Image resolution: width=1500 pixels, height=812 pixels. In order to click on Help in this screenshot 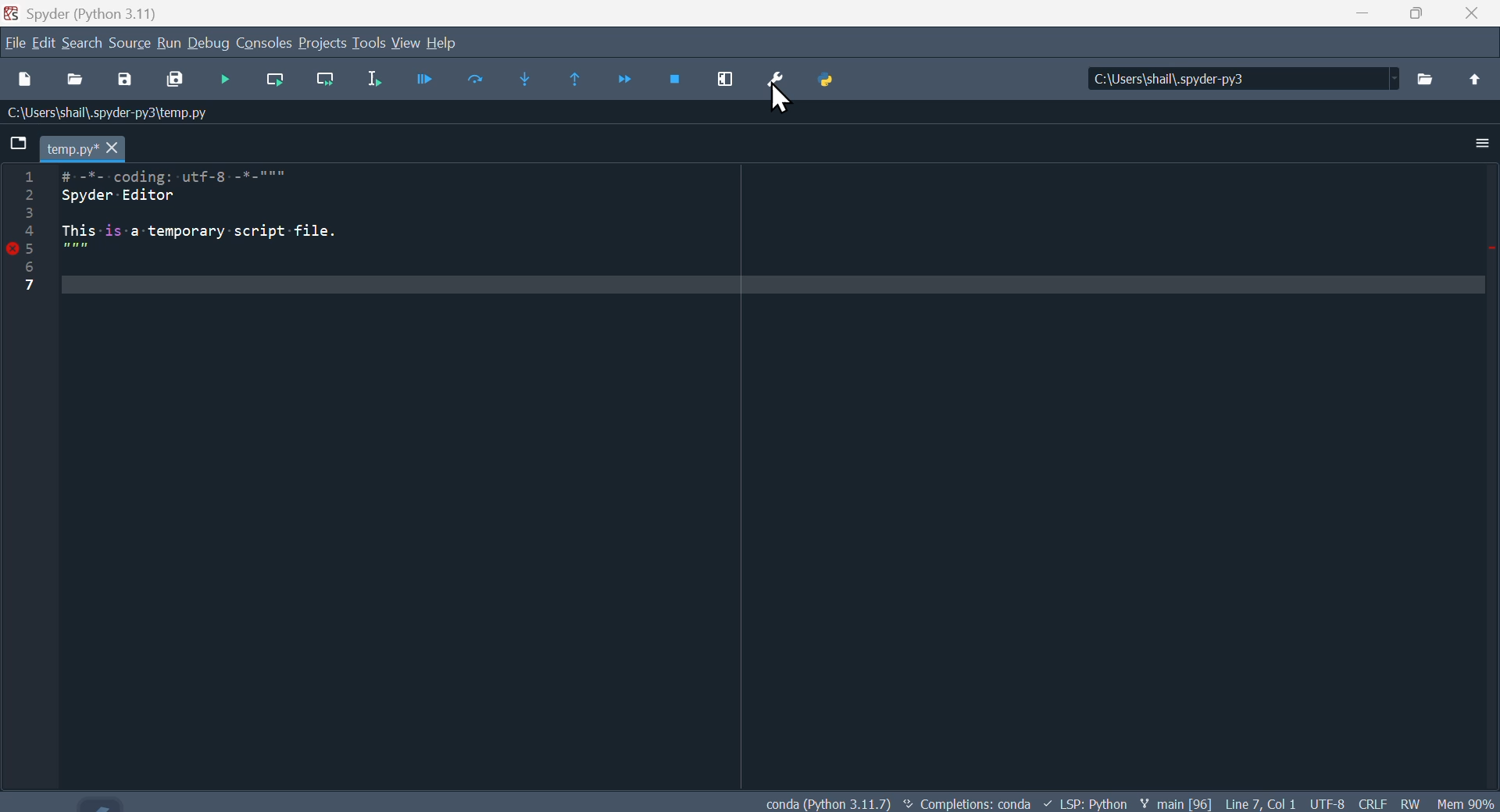, I will do `click(454, 41)`.